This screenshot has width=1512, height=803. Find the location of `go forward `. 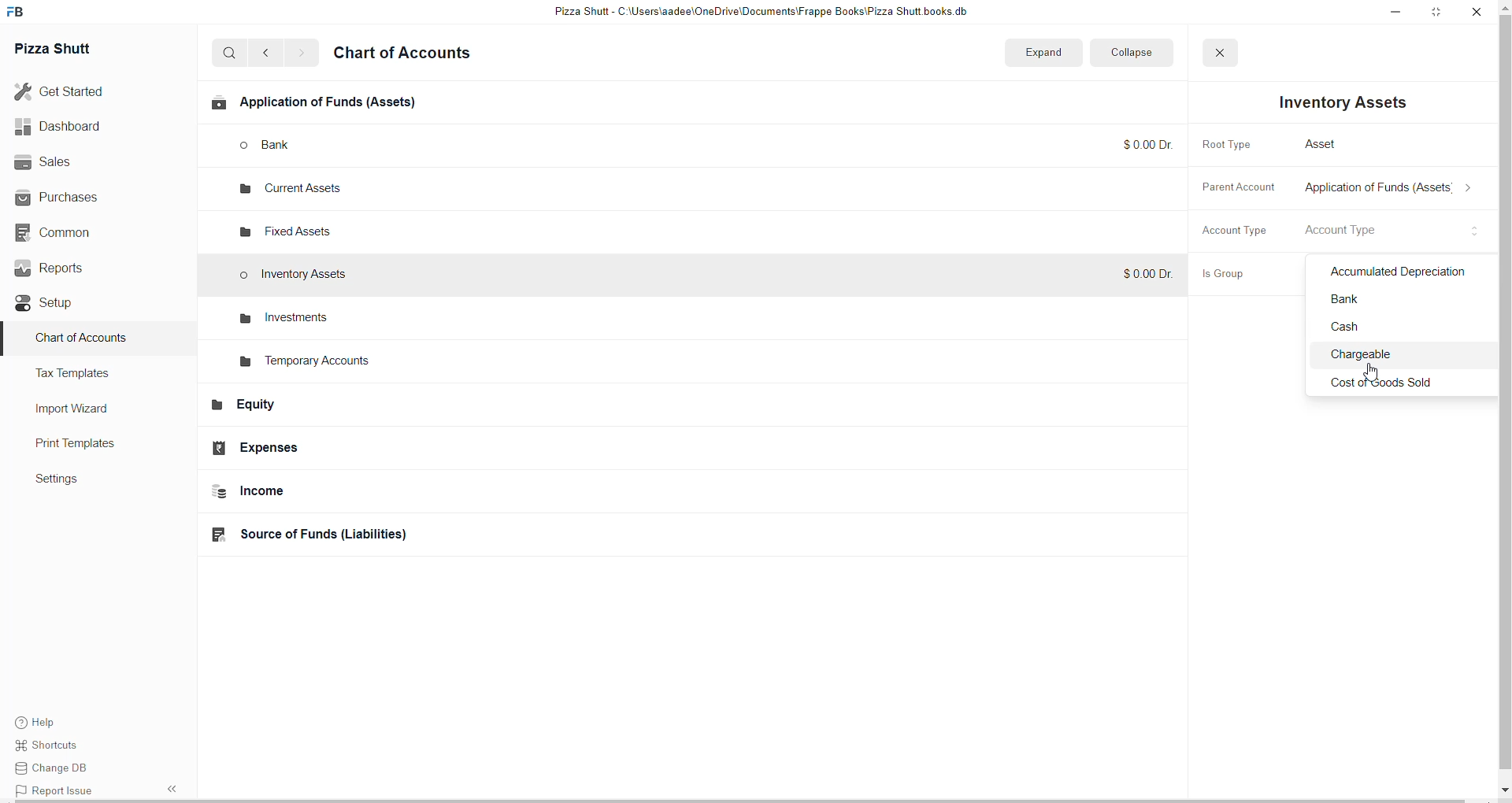

go forward  is located at coordinates (301, 54).